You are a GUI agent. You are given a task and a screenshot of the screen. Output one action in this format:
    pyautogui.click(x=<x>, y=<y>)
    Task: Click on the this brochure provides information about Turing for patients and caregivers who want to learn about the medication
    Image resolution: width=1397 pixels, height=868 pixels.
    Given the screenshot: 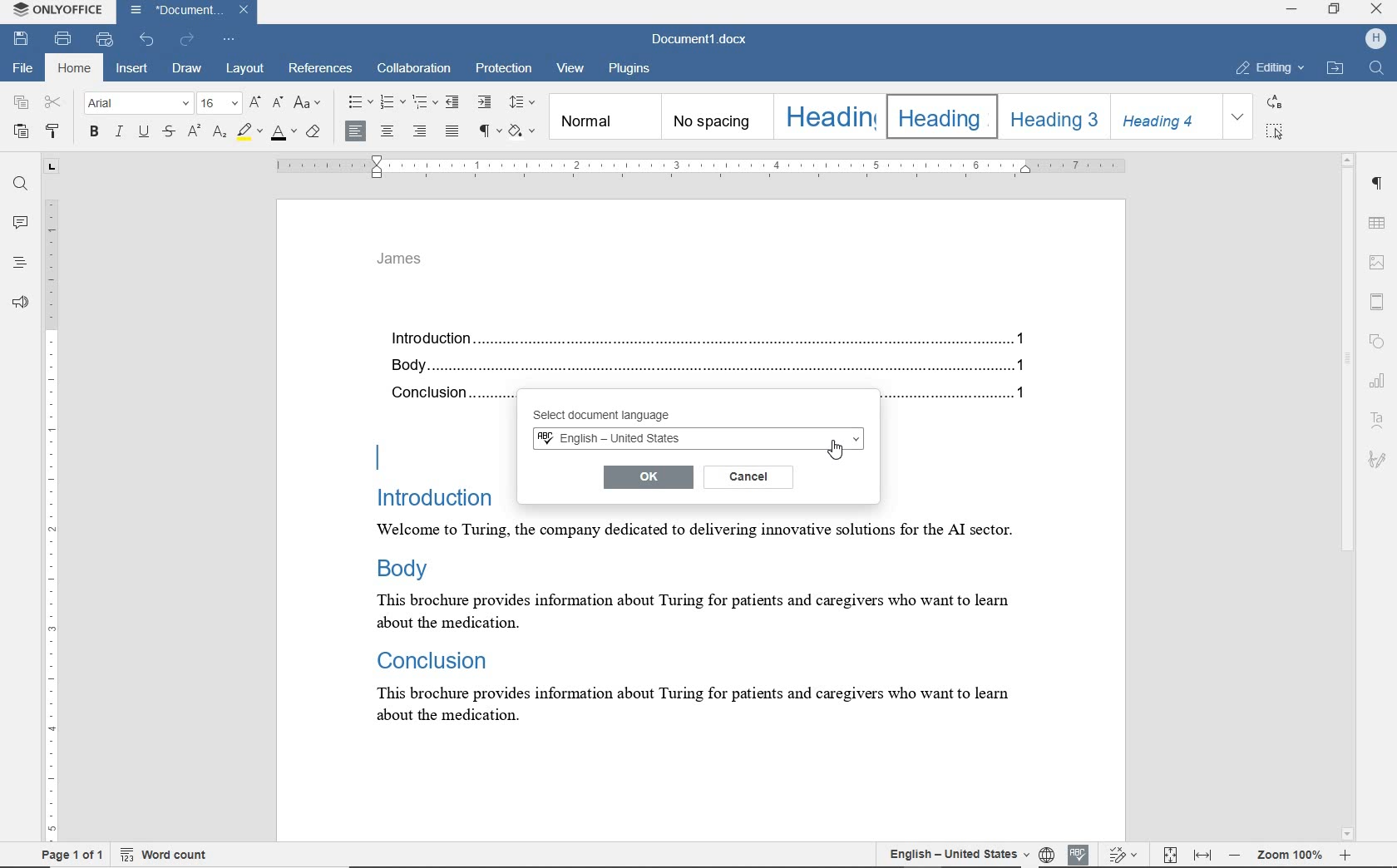 What is the action you would take?
    pyautogui.click(x=683, y=611)
    